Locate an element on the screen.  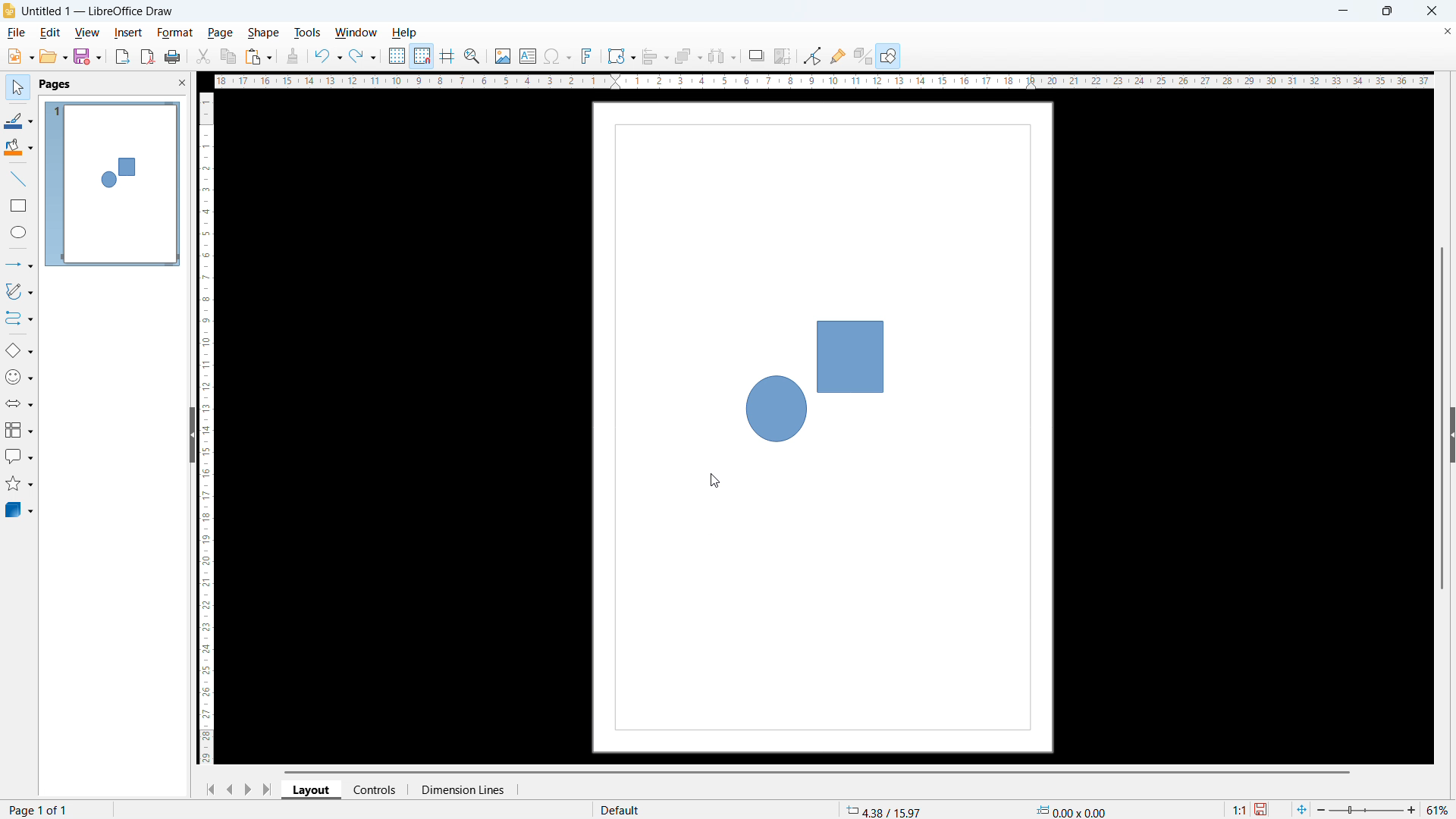
crop image is located at coordinates (784, 55).